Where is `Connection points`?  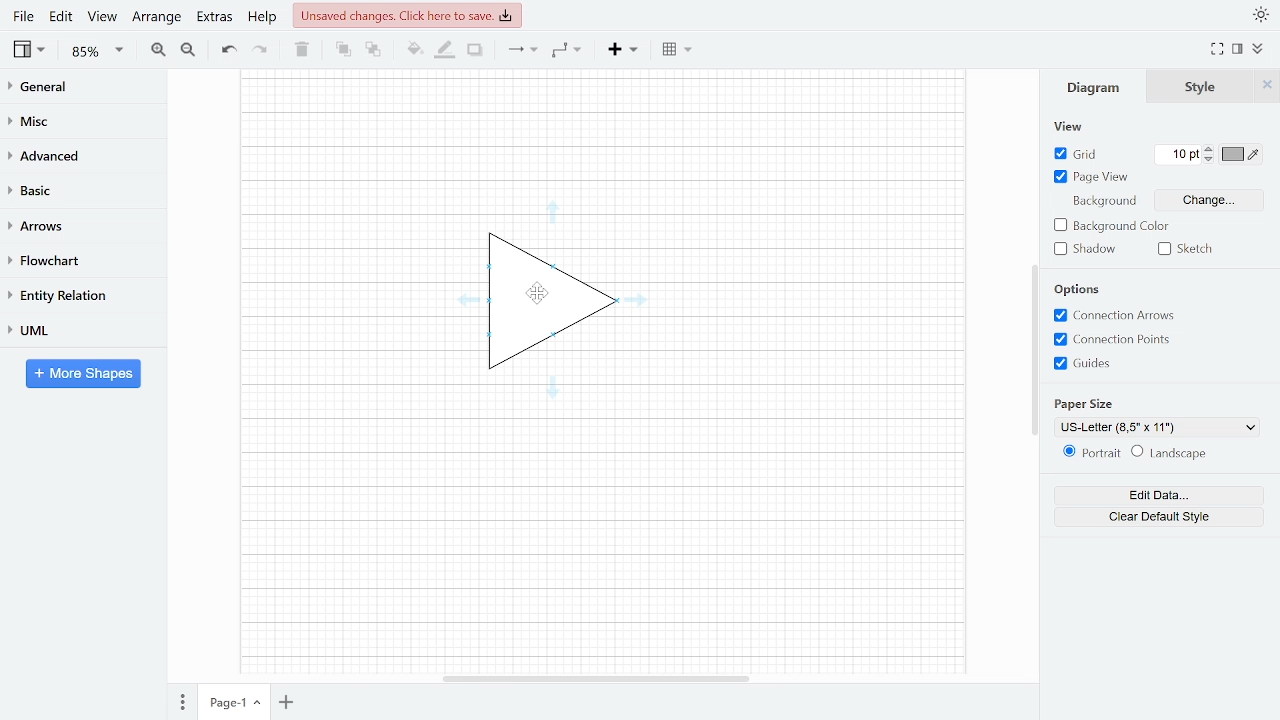 Connection points is located at coordinates (1119, 339).